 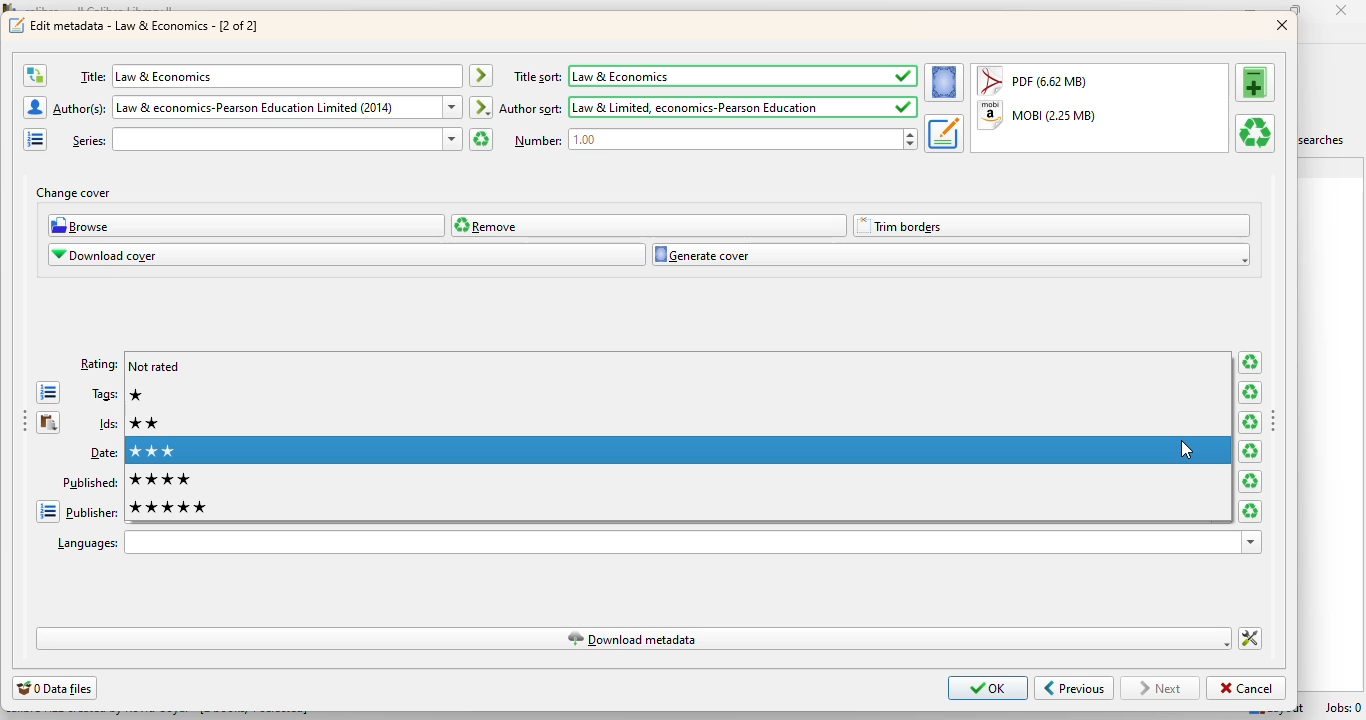 I want to click on title sort: Law & economics, so click(x=715, y=76).